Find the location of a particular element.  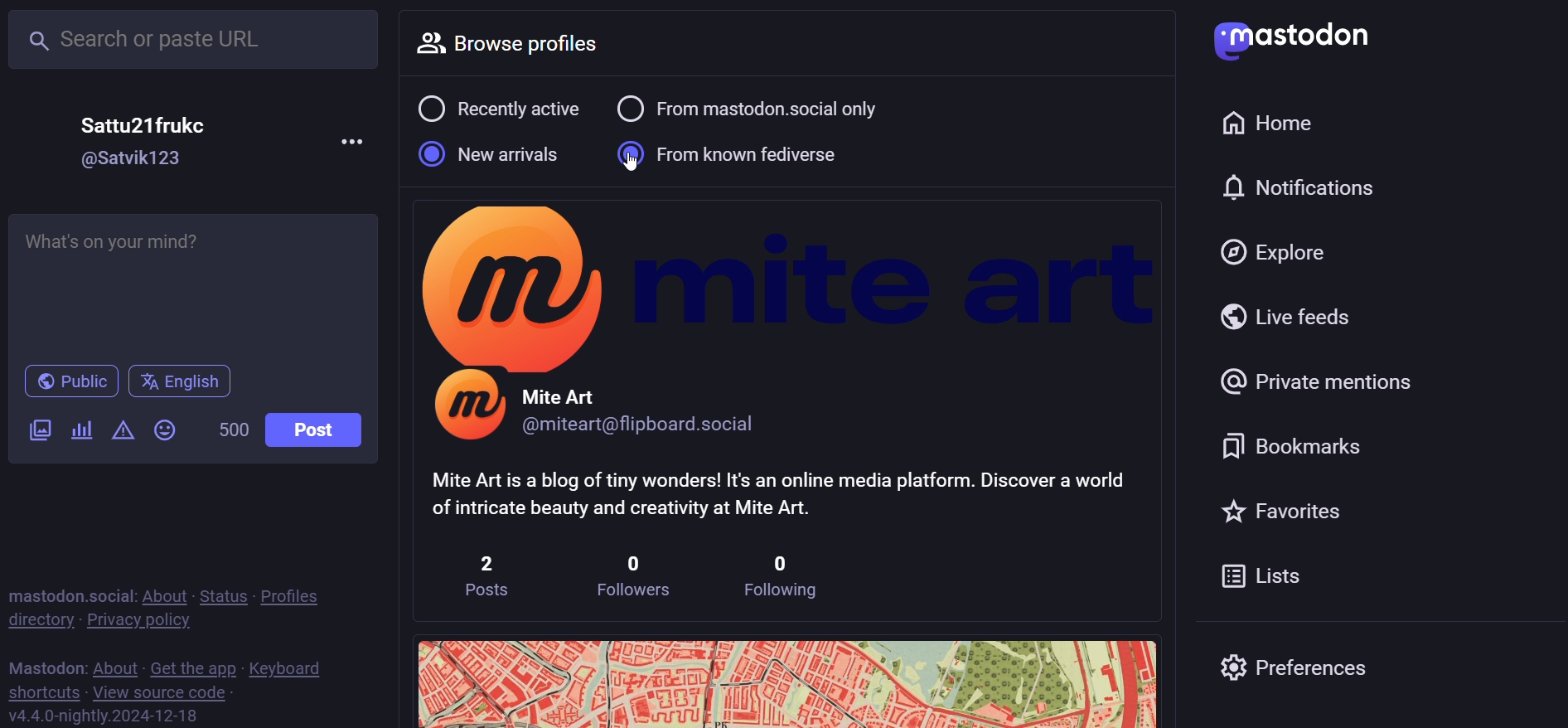

image/video is located at coordinates (38, 429).